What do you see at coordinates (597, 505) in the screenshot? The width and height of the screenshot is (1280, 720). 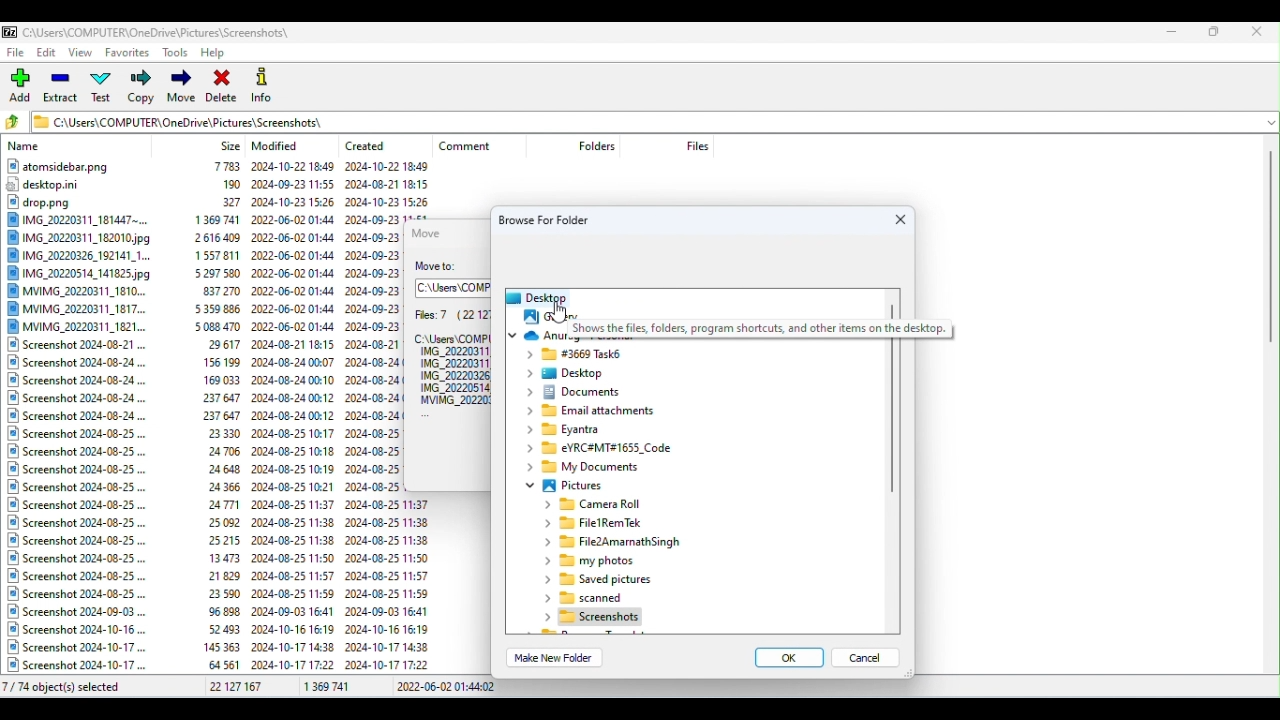 I see `Folders` at bounding box center [597, 505].